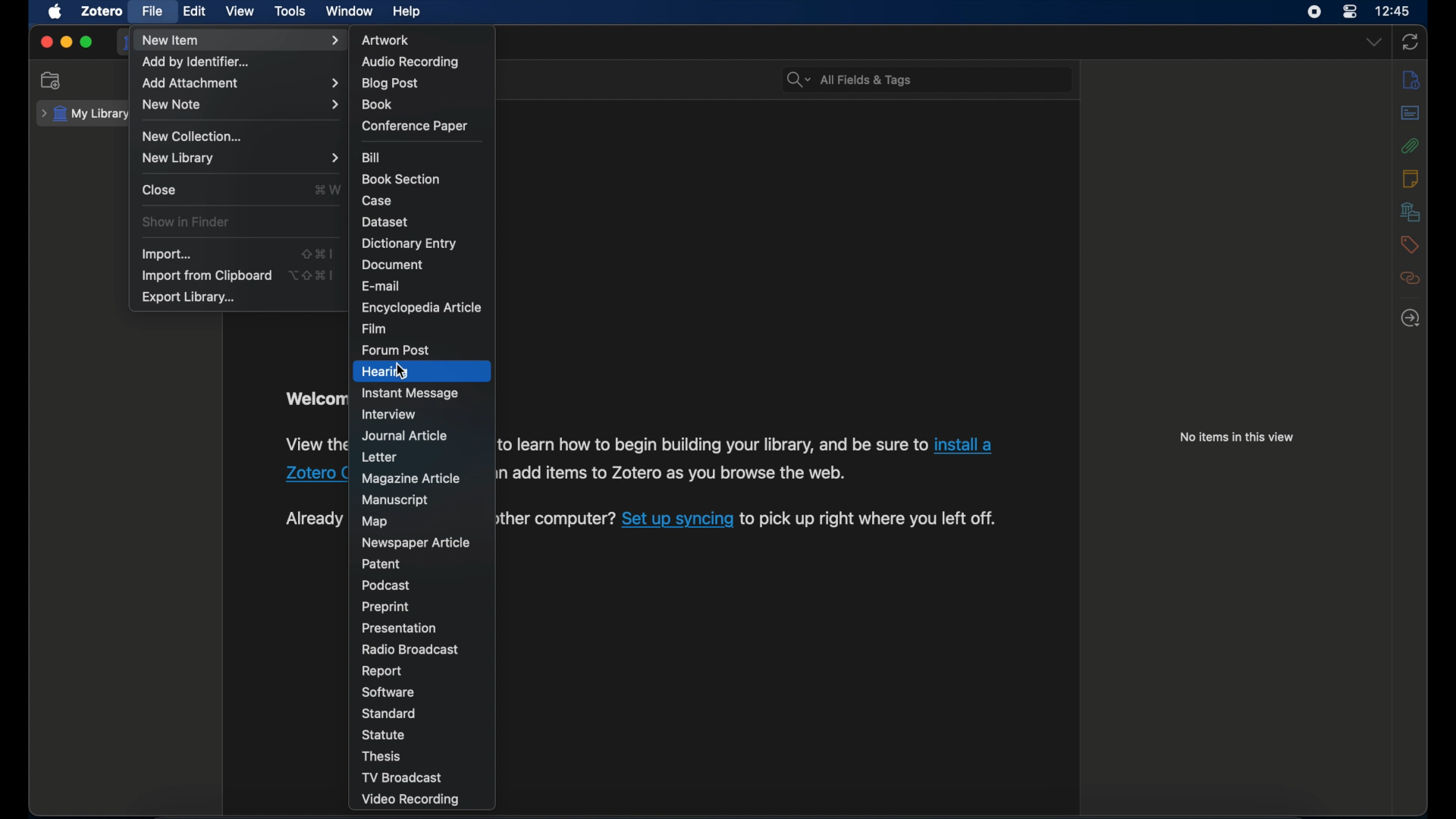  I want to click on maximize, so click(86, 42).